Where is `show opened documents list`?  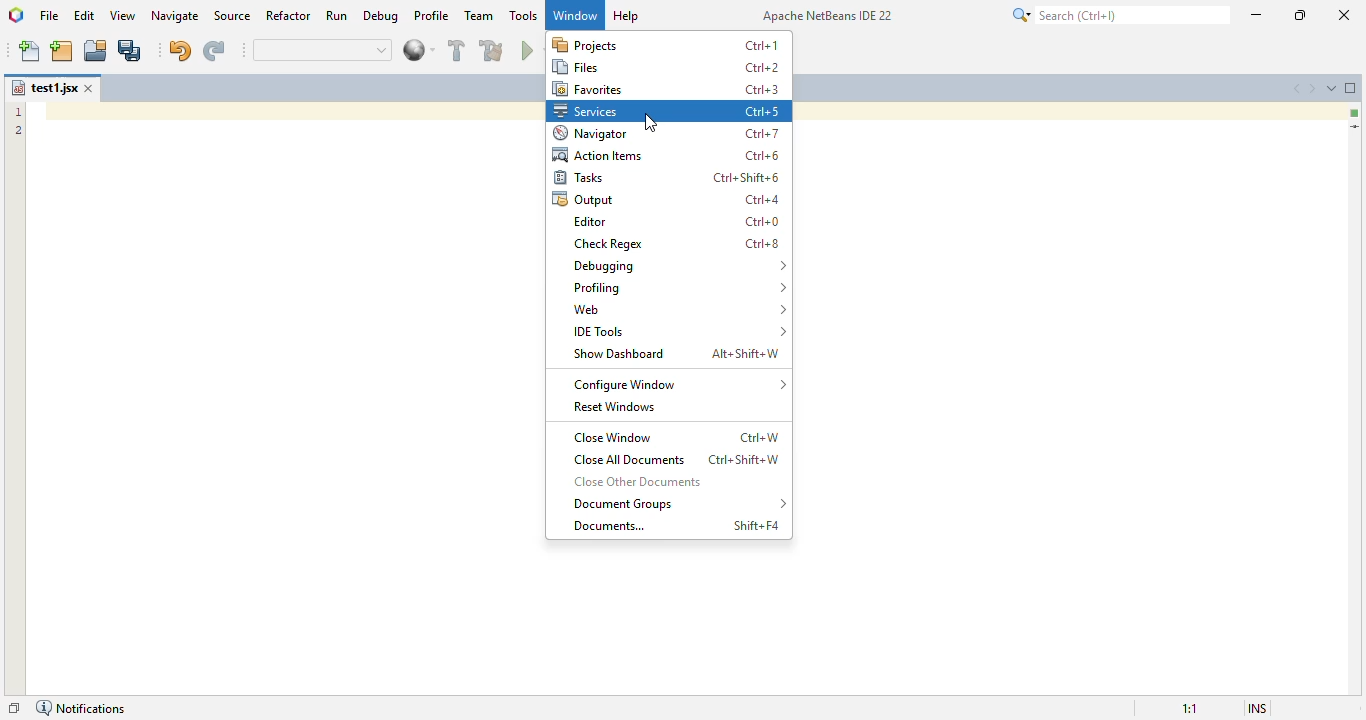
show opened documents list is located at coordinates (1332, 88).